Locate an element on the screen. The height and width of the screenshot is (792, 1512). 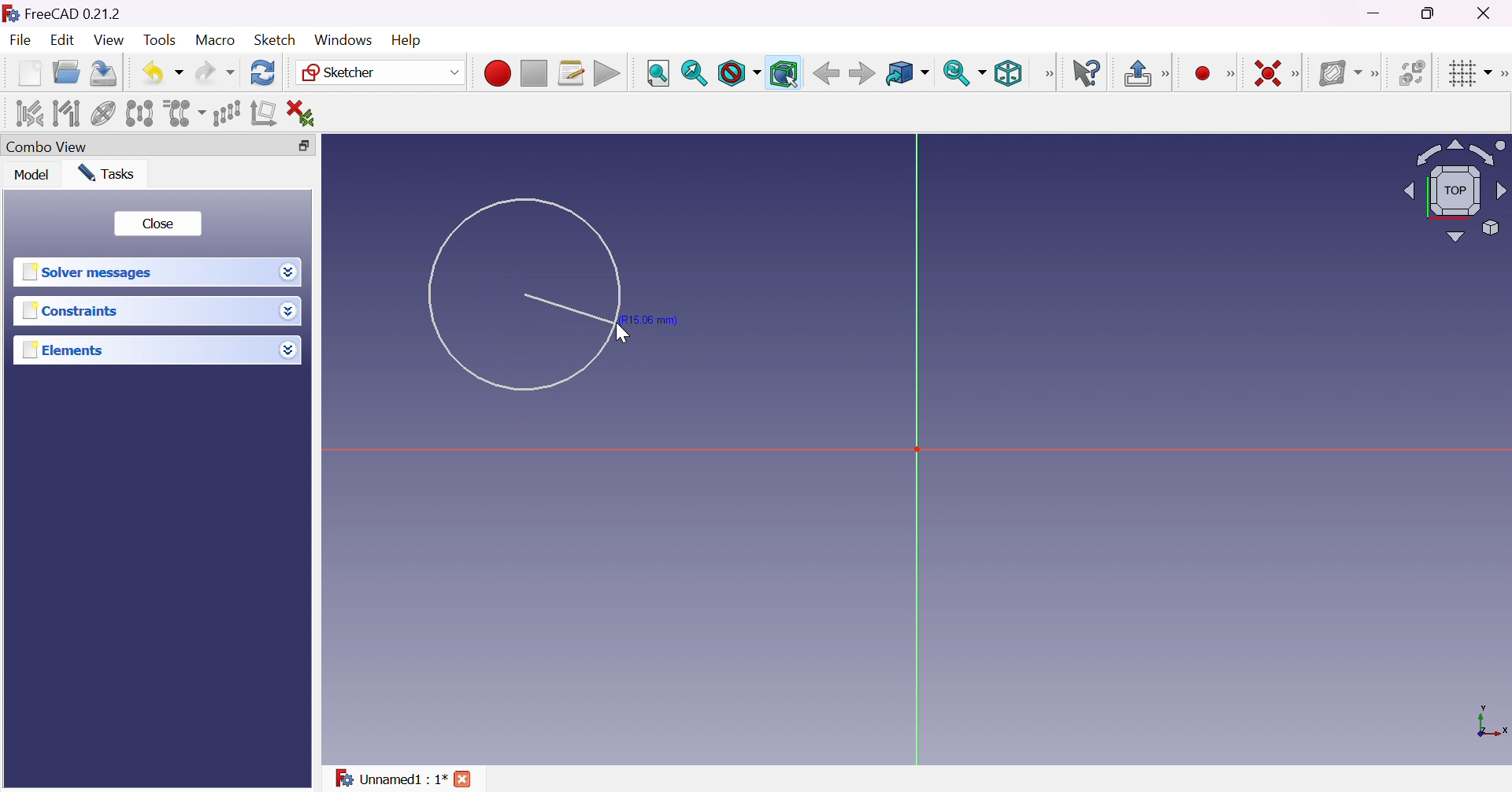
[Sketcher constraints] is located at coordinates (1299, 75).